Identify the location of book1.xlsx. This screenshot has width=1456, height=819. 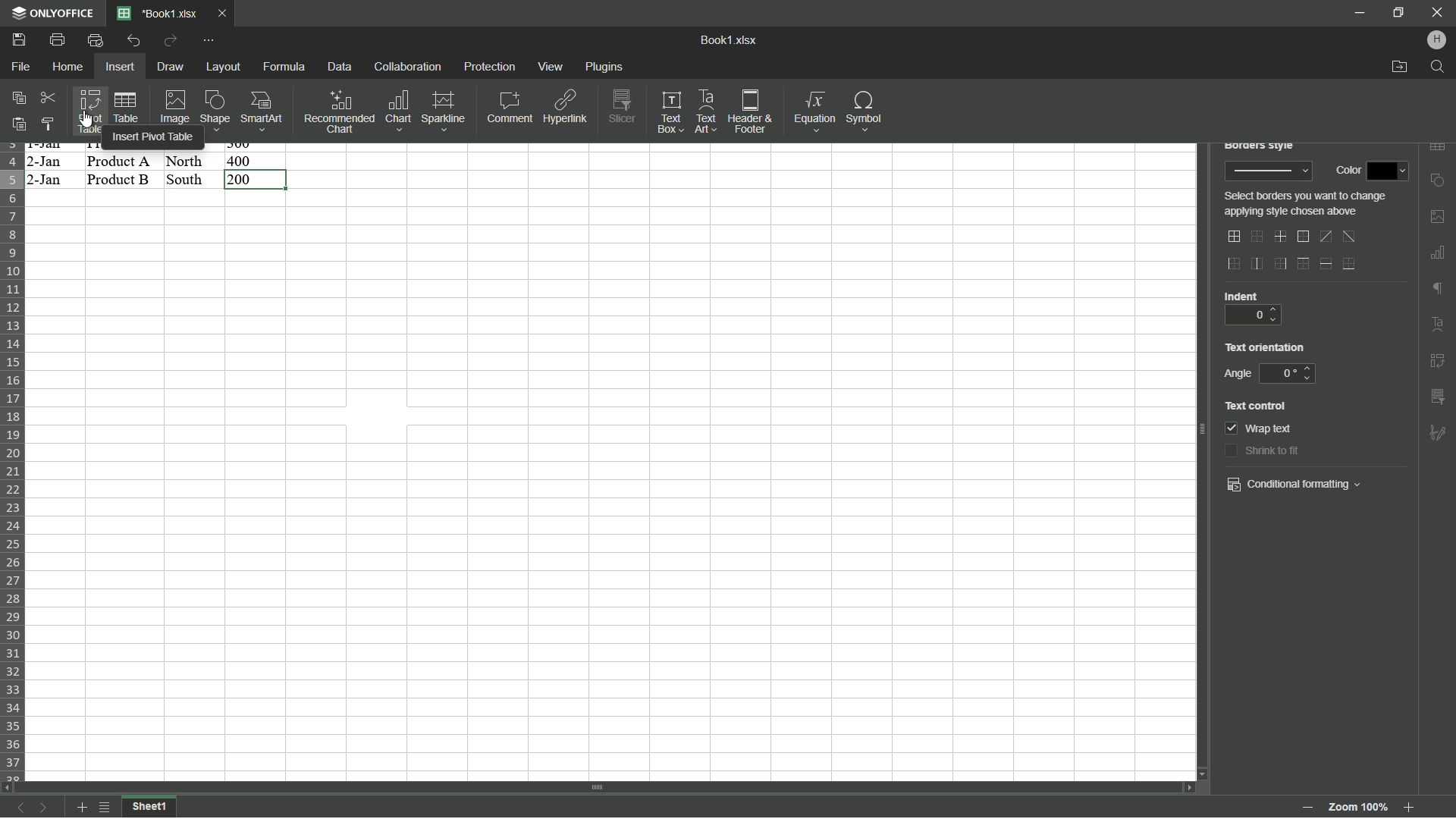
(731, 40).